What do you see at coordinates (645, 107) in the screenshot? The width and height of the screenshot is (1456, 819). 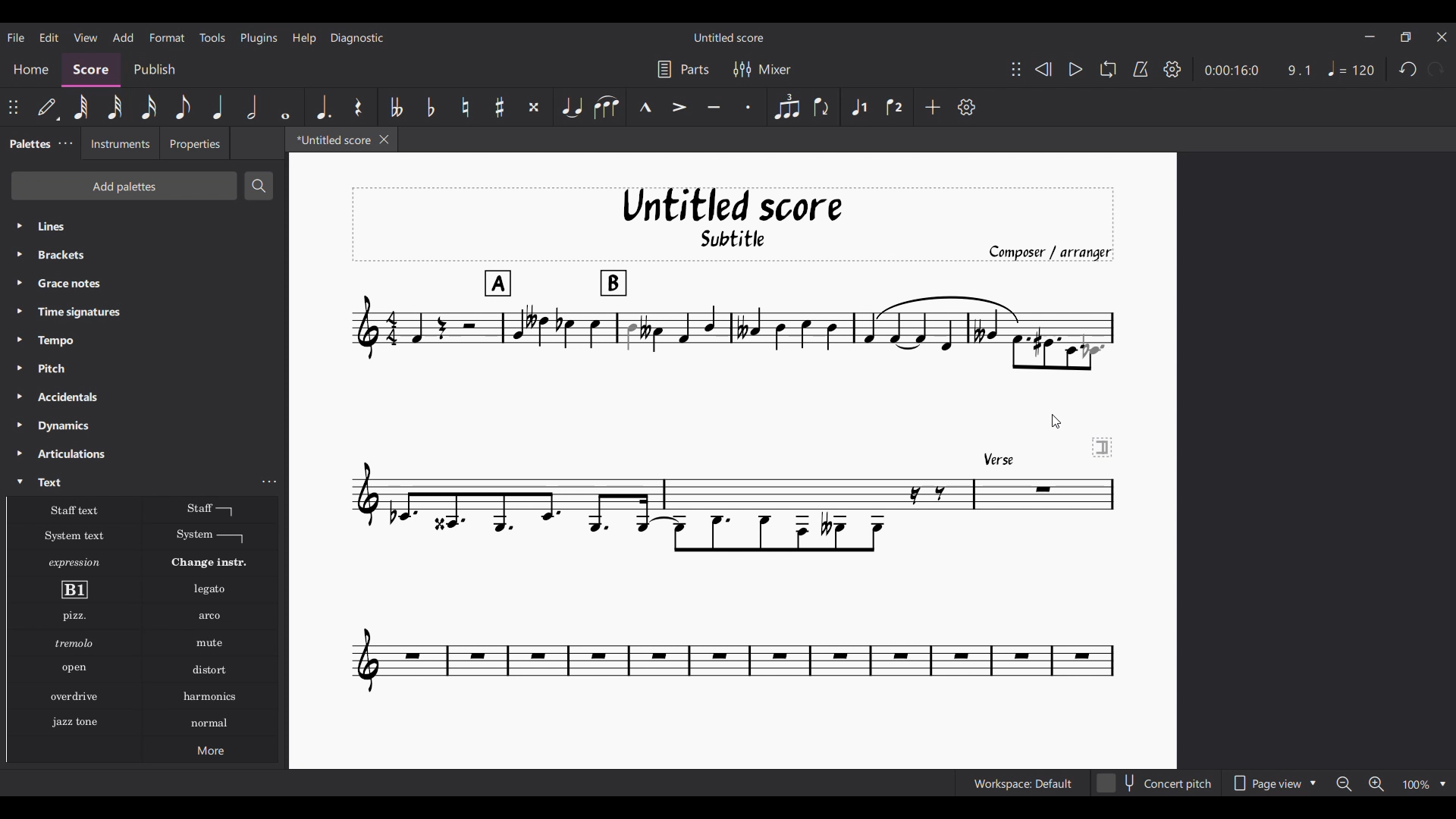 I see `Marcato` at bounding box center [645, 107].